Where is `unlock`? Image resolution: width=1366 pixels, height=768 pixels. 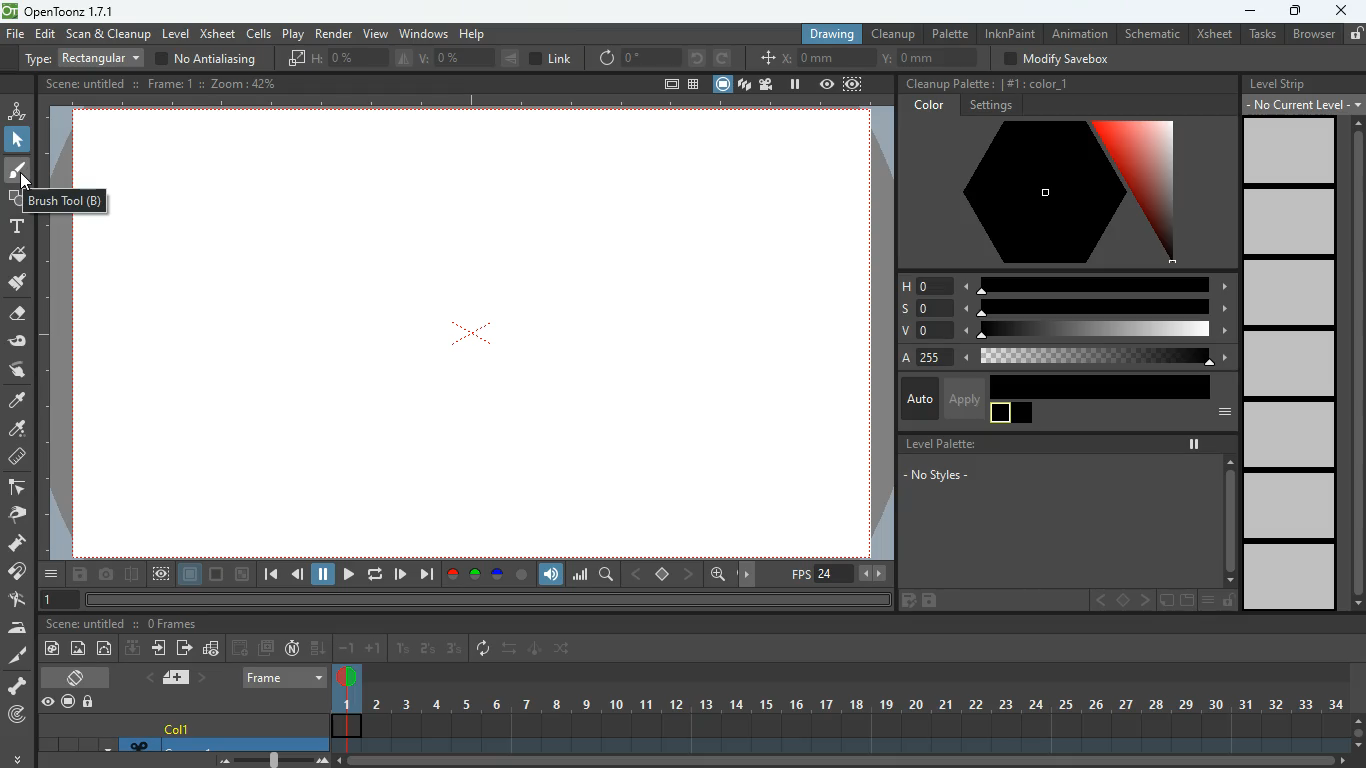 unlock is located at coordinates (1355, 33).